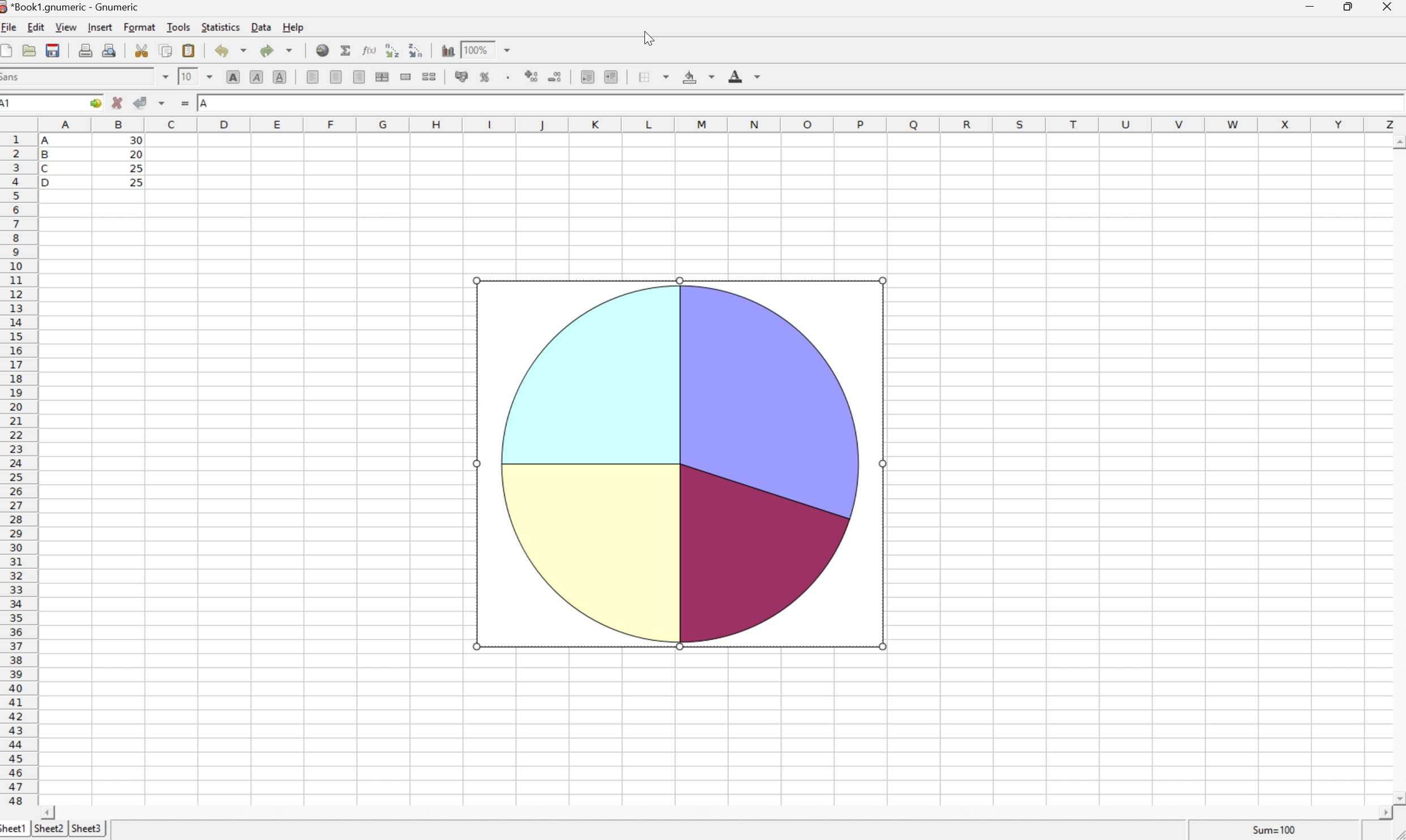 The width and height of the screenshot is (1406, 840). What do you see at coordinates (557, 78) in the screenshot?
I see `Decrease number of decimals displayed` at bounding box center [557, 78].